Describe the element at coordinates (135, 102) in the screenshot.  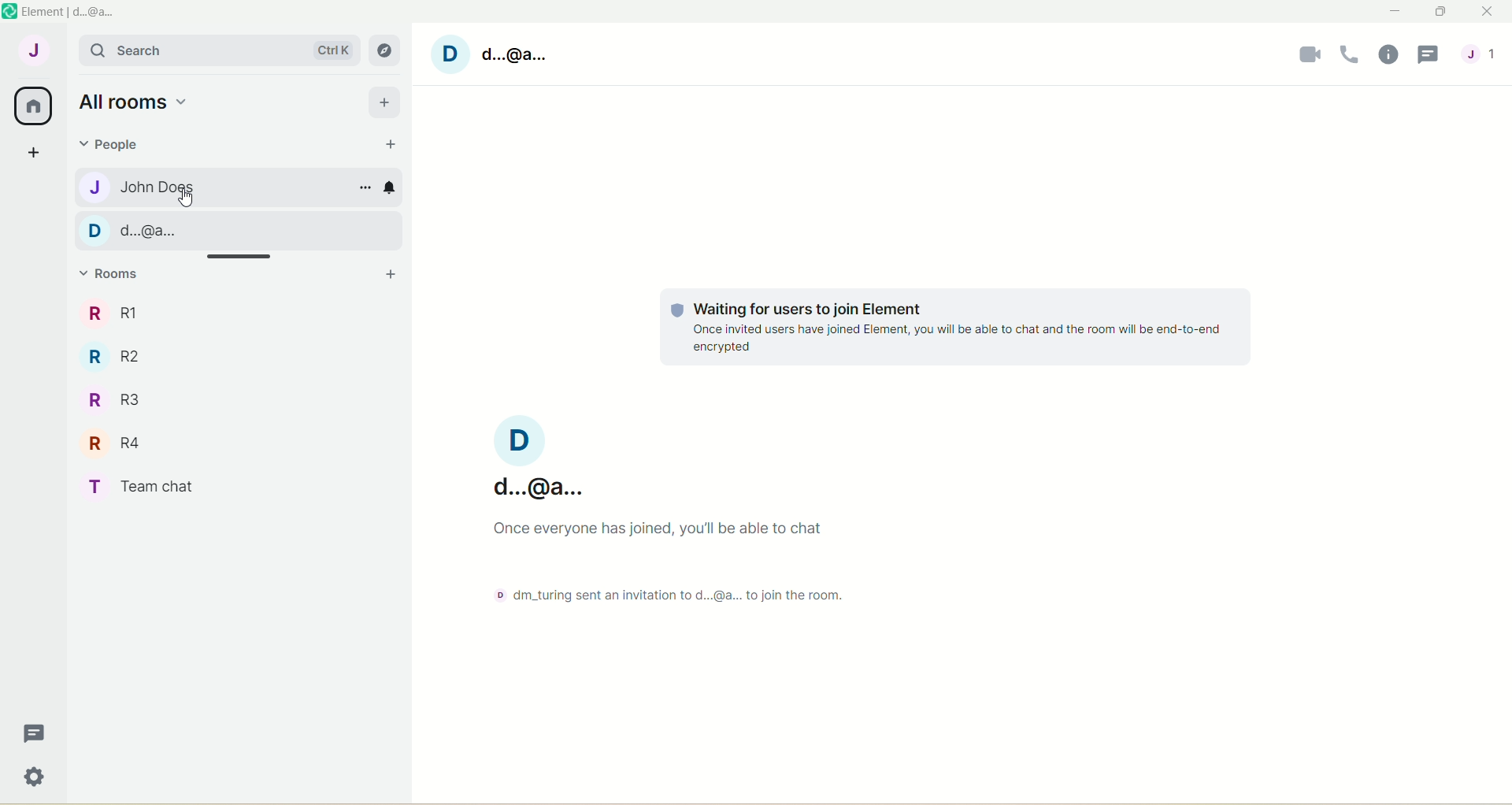
I see `all rooms` at that location.